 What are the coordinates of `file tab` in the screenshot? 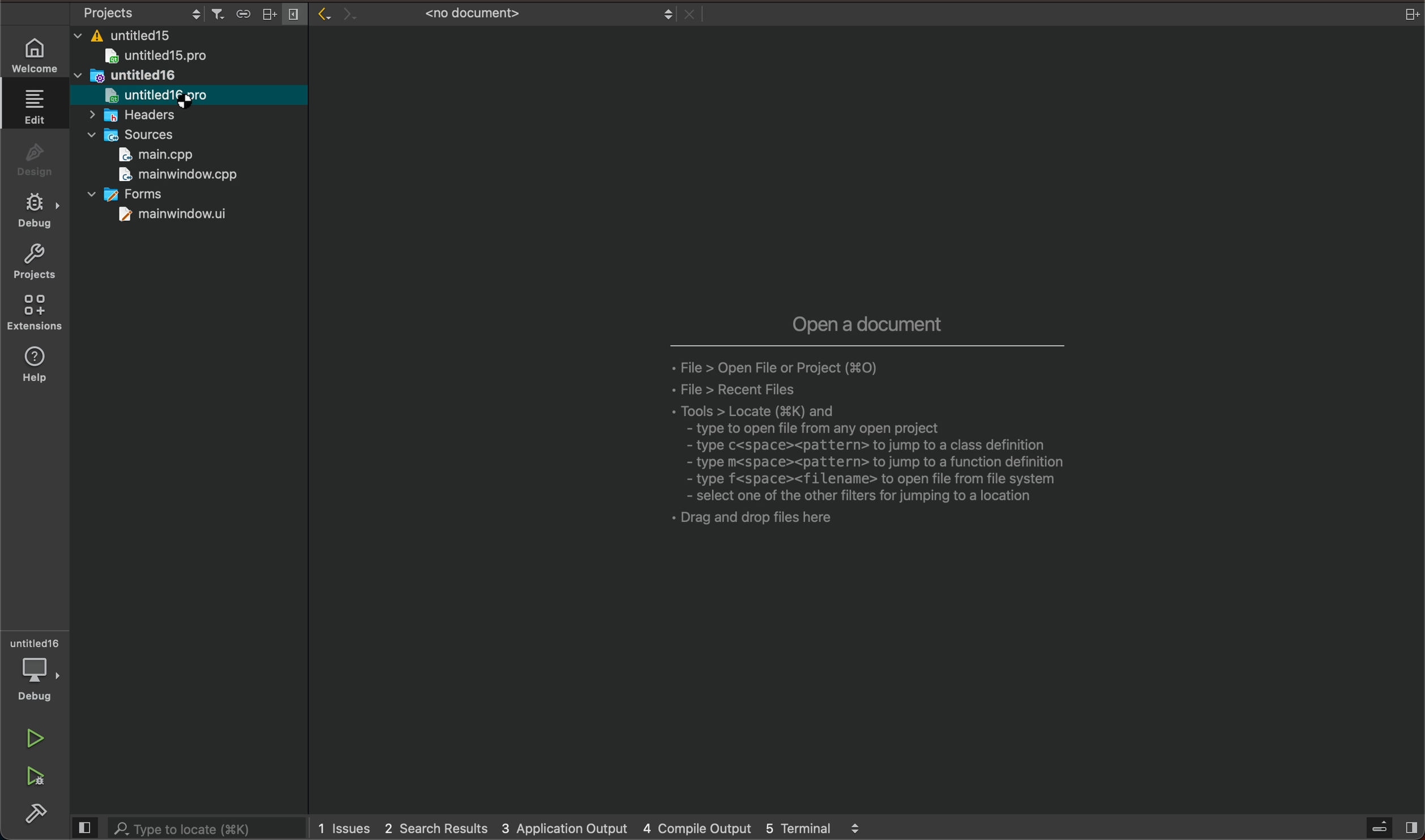 It's located at (502, 11).